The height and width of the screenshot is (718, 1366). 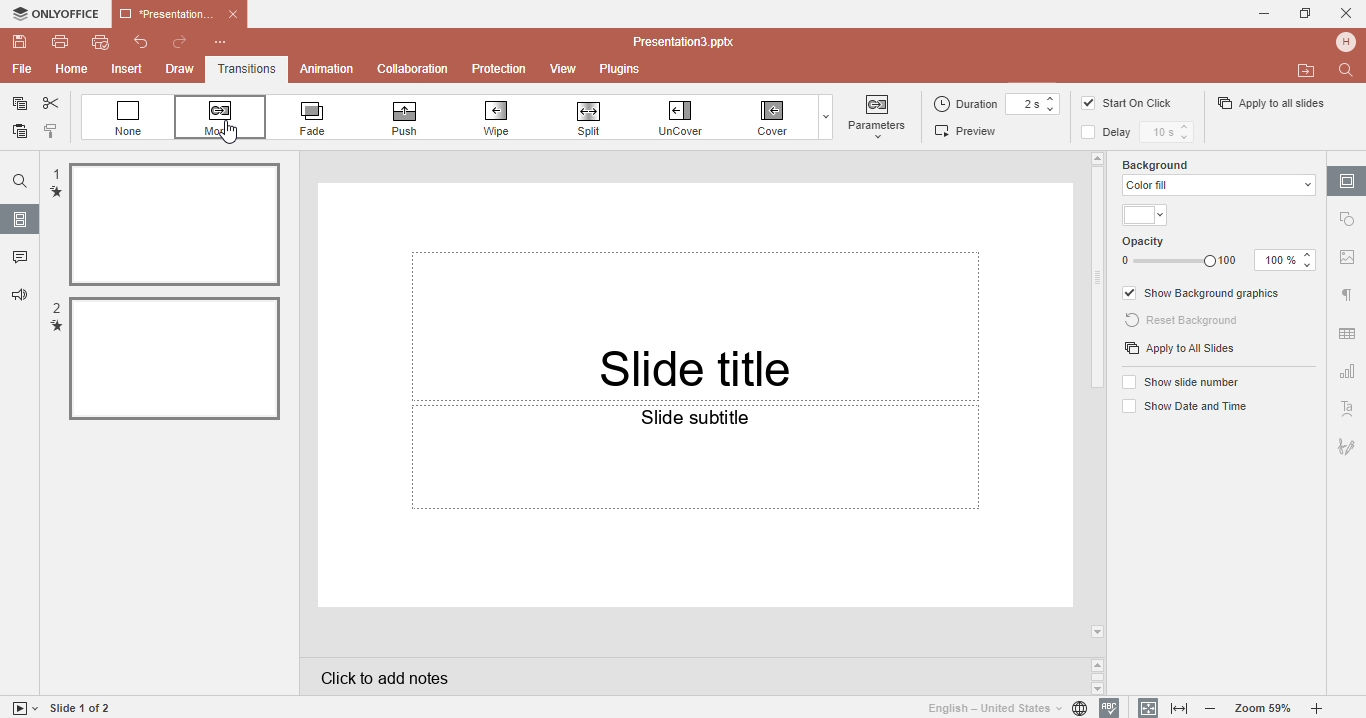 What do you see at coordinates (597, 115) in the screenshot?
I see `Spill` at bounding box center [597, 115].